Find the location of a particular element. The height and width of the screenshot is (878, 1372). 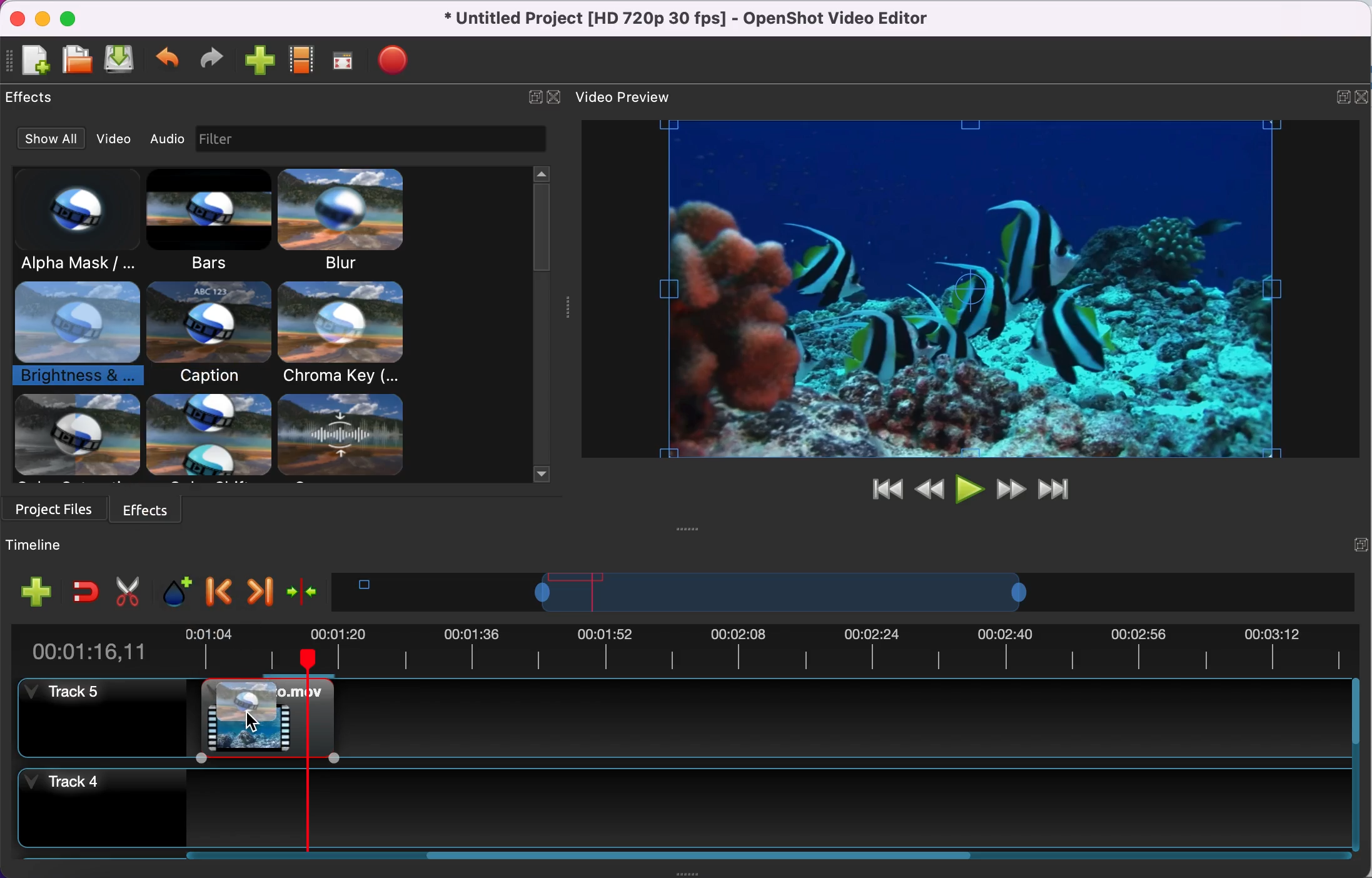

alpha mask is located at coordinates (79, 221).